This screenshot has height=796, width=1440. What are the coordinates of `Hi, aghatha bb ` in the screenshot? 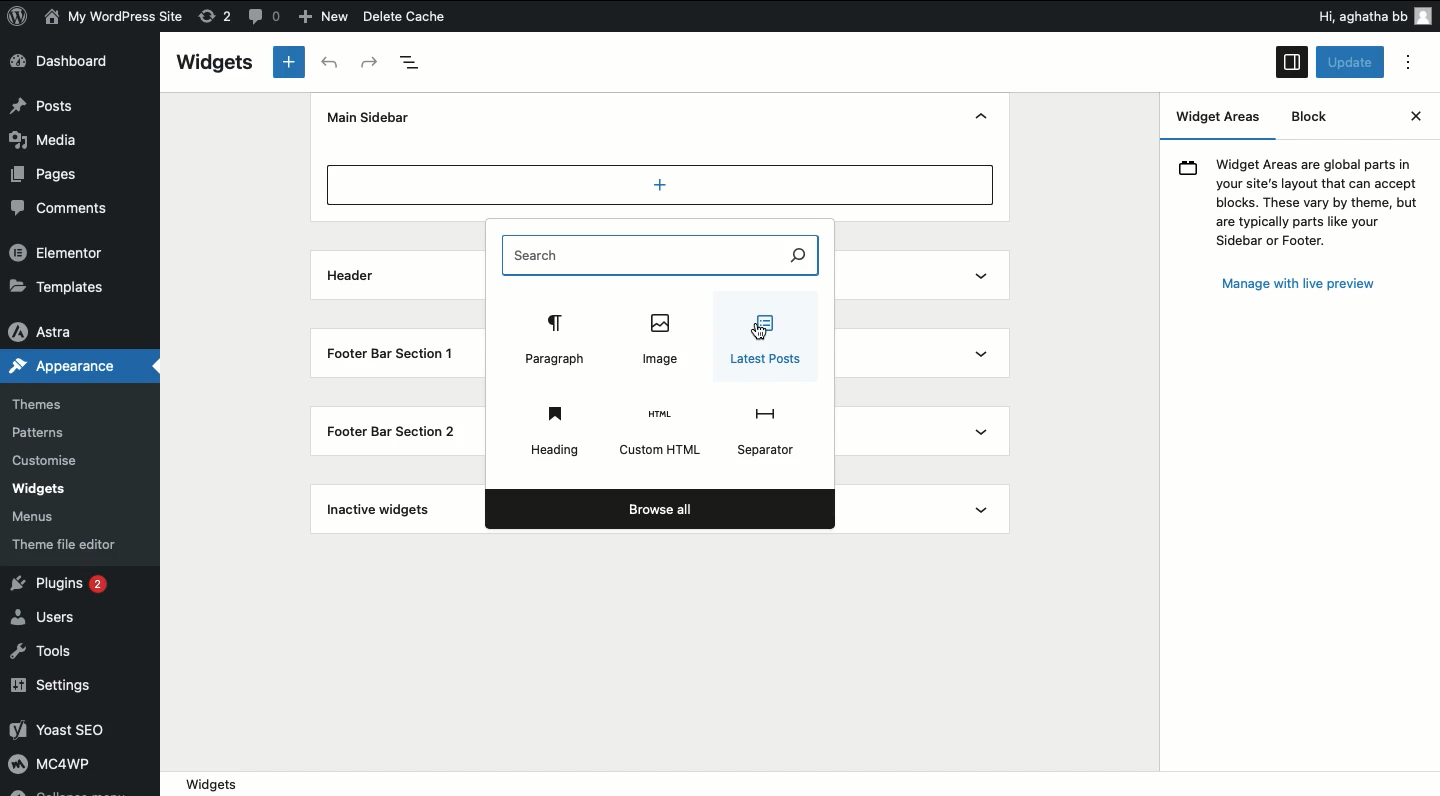 It's located at (1368, 15).